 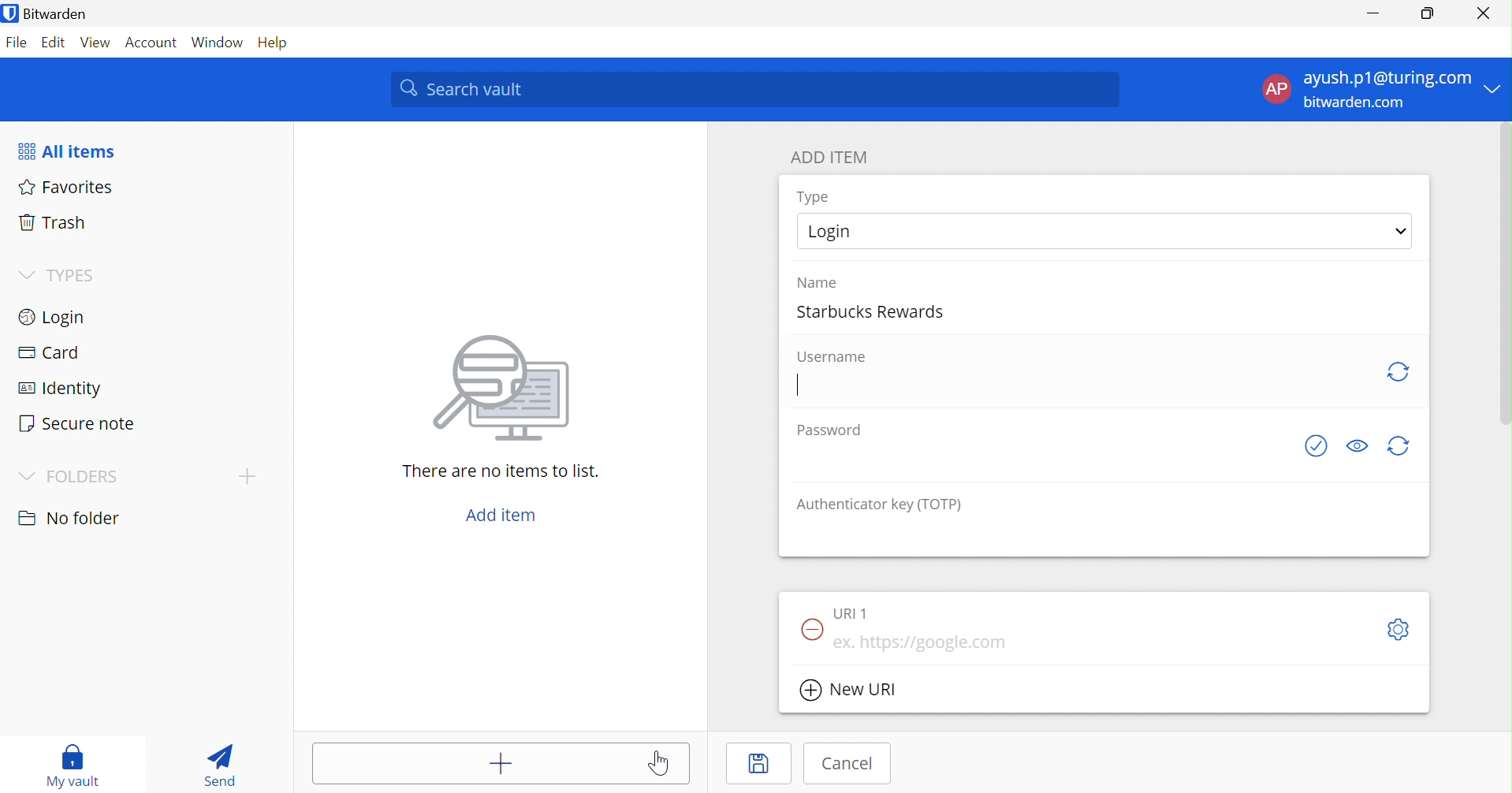 What do you see at coordinates (279, 43) in the screenshot?
I see `Help` at bounding box center [279, 43].